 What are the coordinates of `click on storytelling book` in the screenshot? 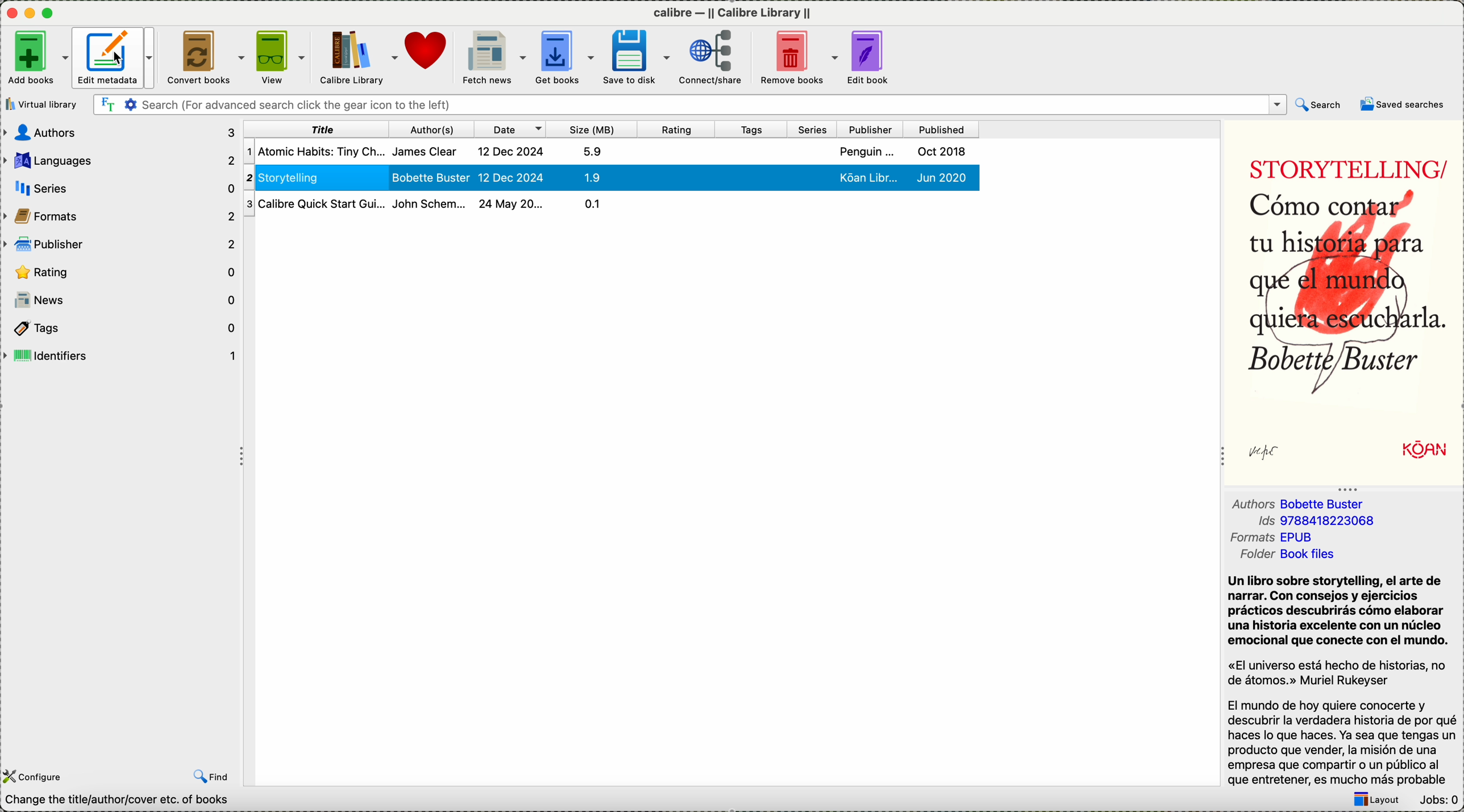 It's located at (610, 177).